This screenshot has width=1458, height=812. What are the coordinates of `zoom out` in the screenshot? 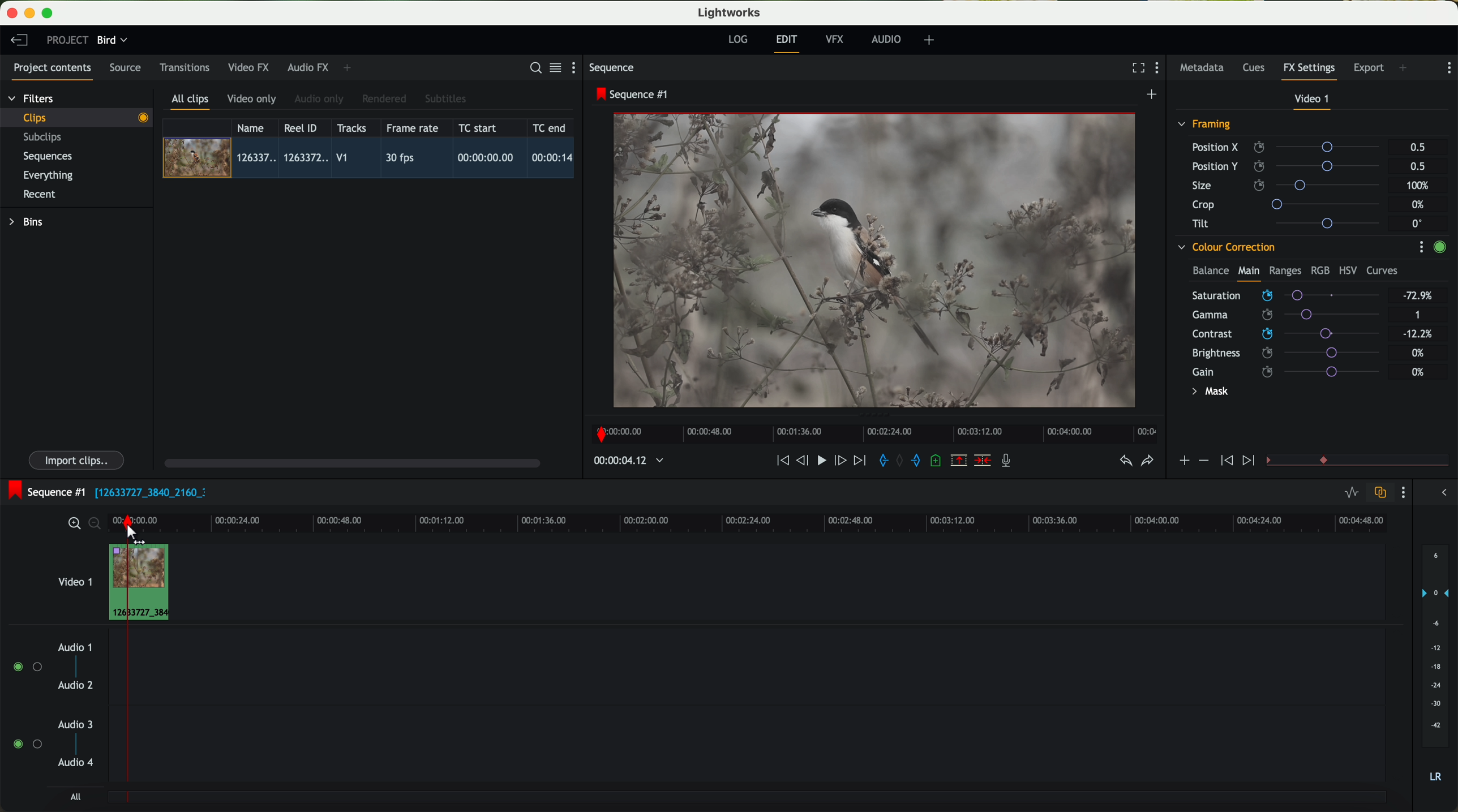 It's located at (96, 525).